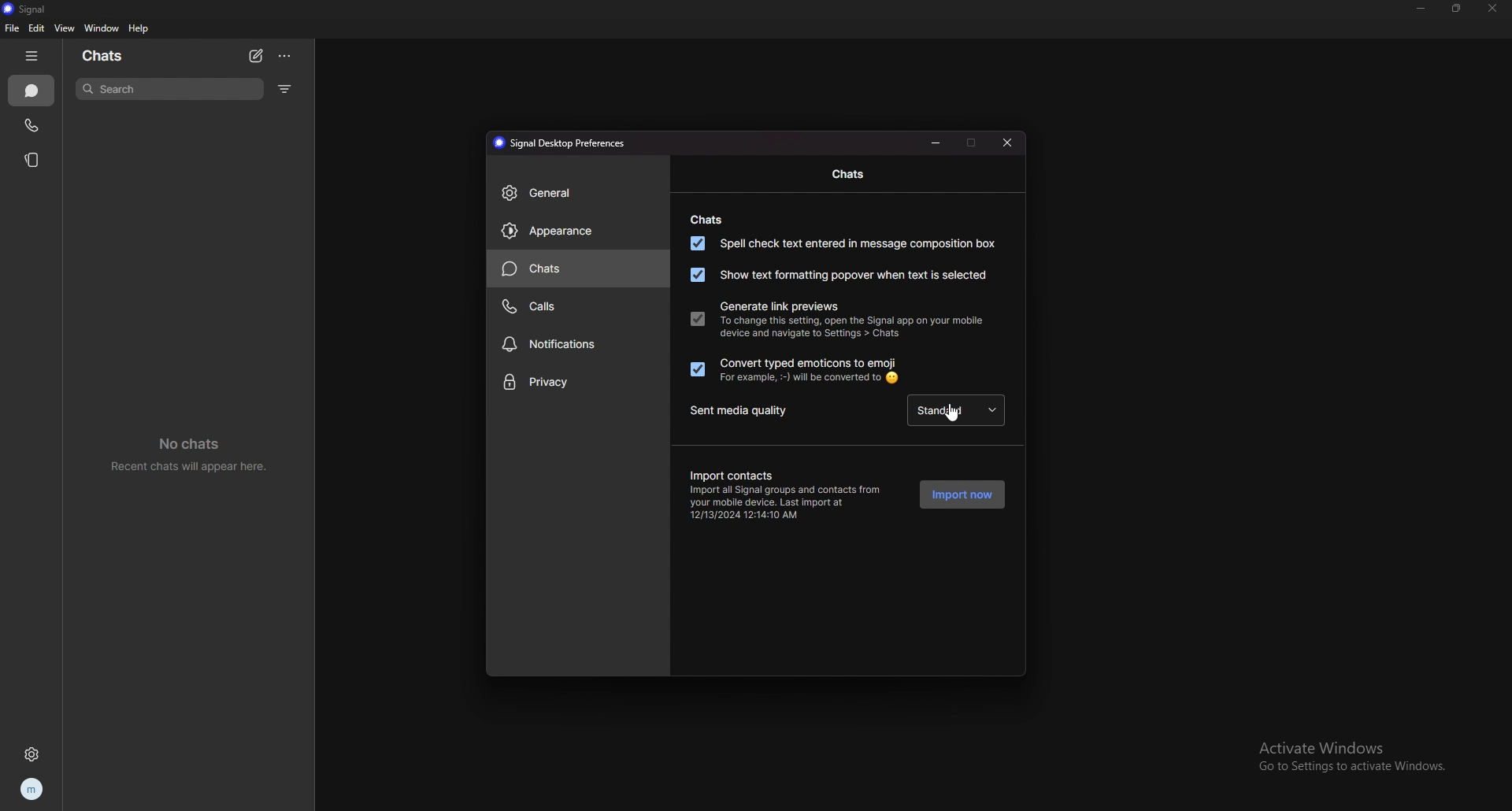 This screenshot has width=1512, height=811. I want to click on cursor, so click(956, 411).